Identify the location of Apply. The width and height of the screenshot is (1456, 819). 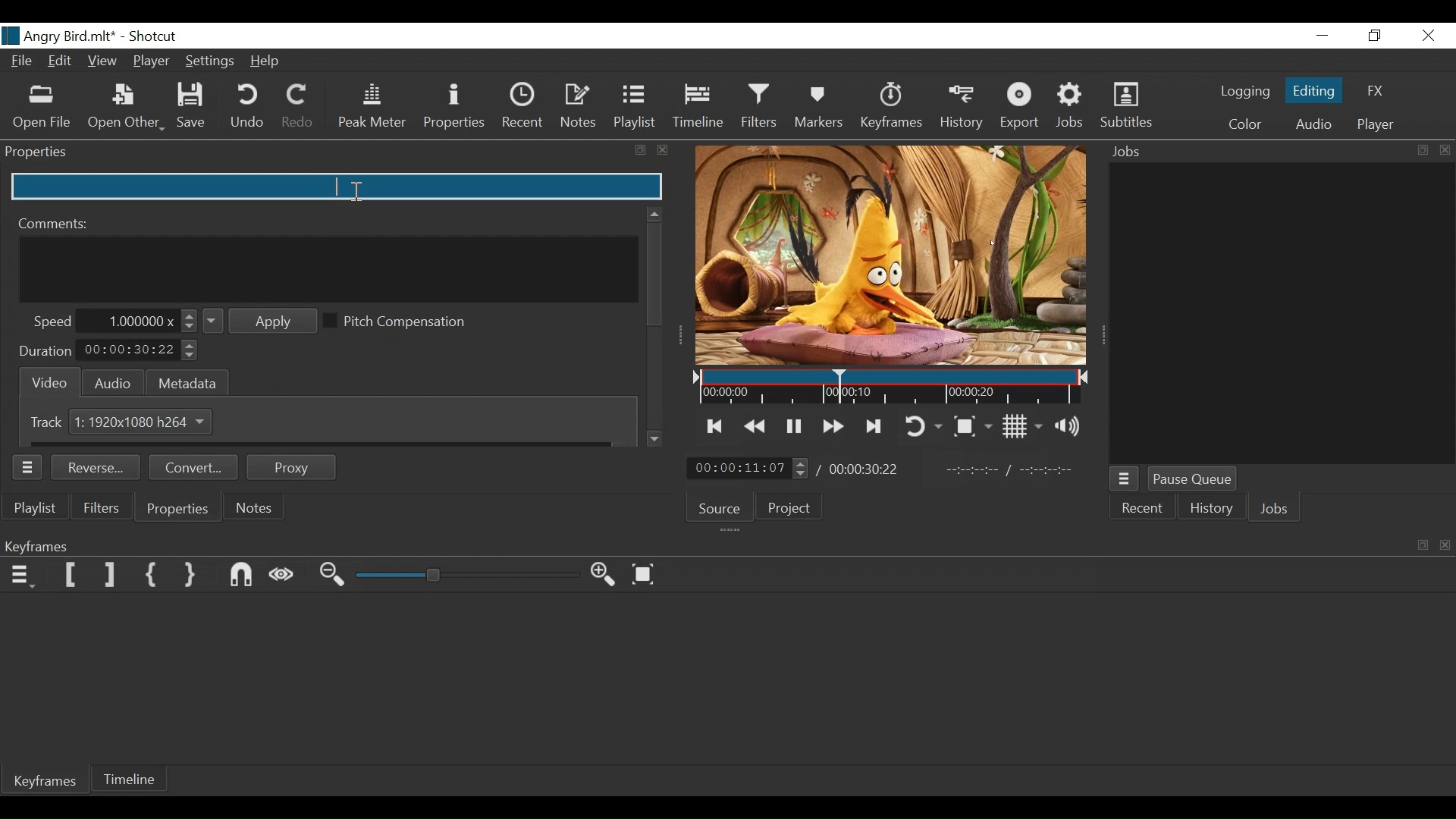
(261, 322).